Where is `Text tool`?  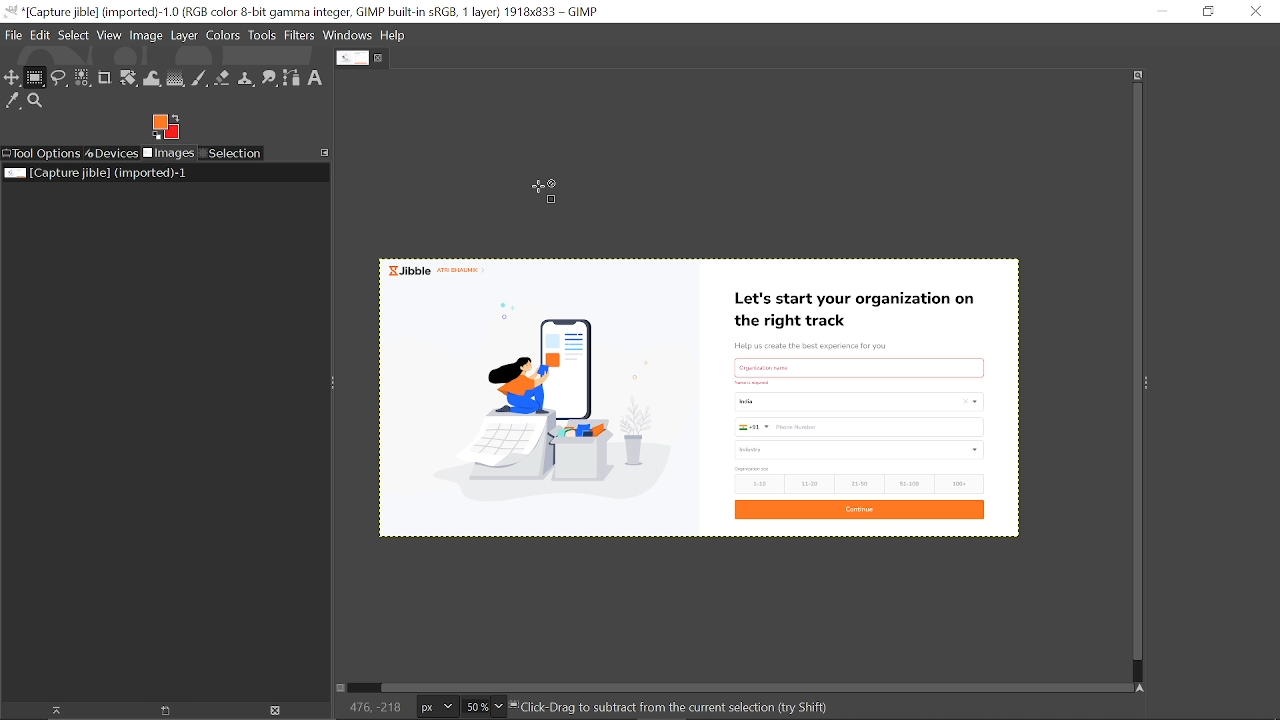 Text tool is located at coordinates (316, 77).